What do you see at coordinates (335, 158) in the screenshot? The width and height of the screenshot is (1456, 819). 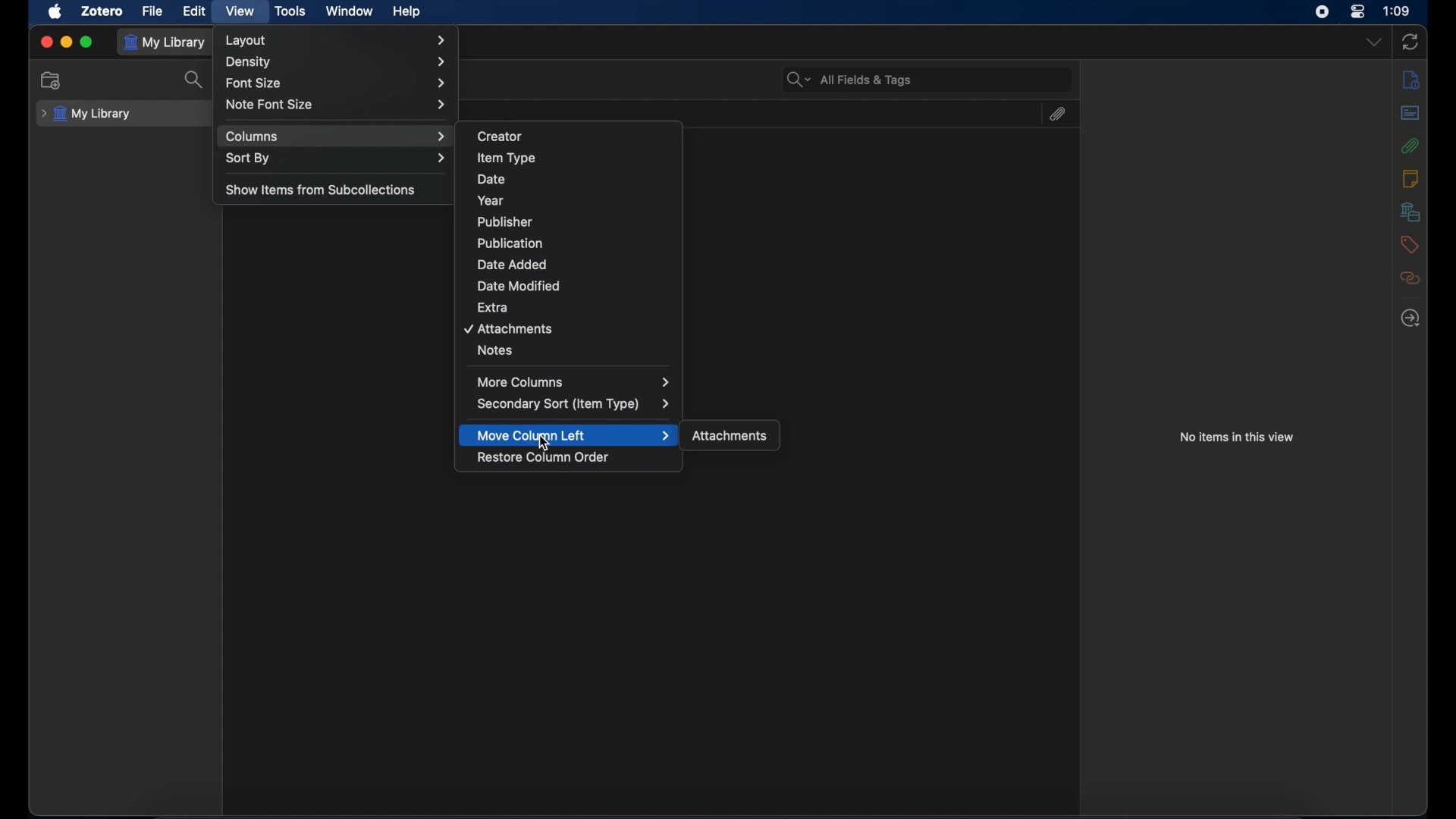 I see `sort by` at bounding box center [335, 158].